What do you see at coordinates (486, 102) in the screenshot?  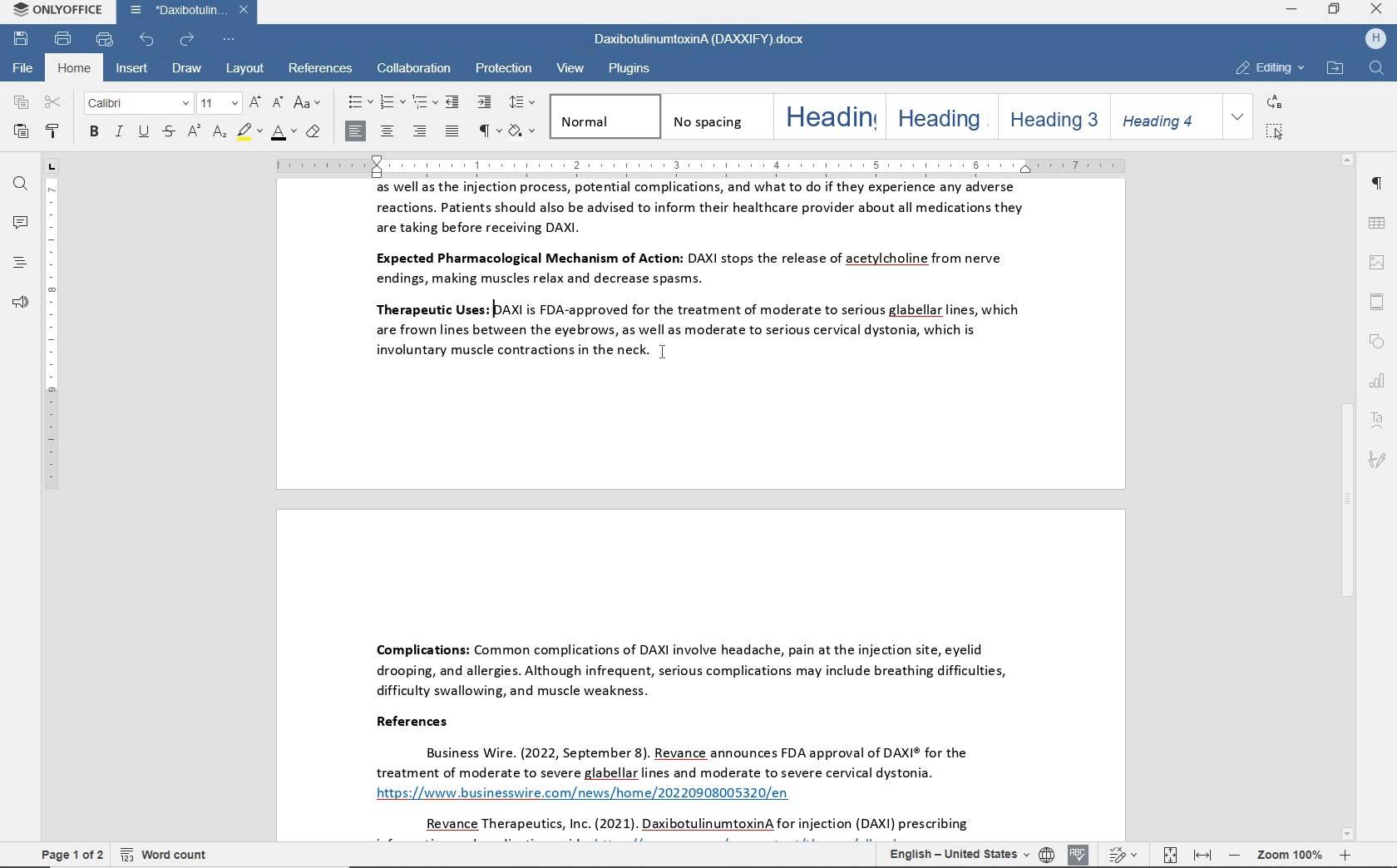 I see `increase indent` at bounding box center [486, 102].